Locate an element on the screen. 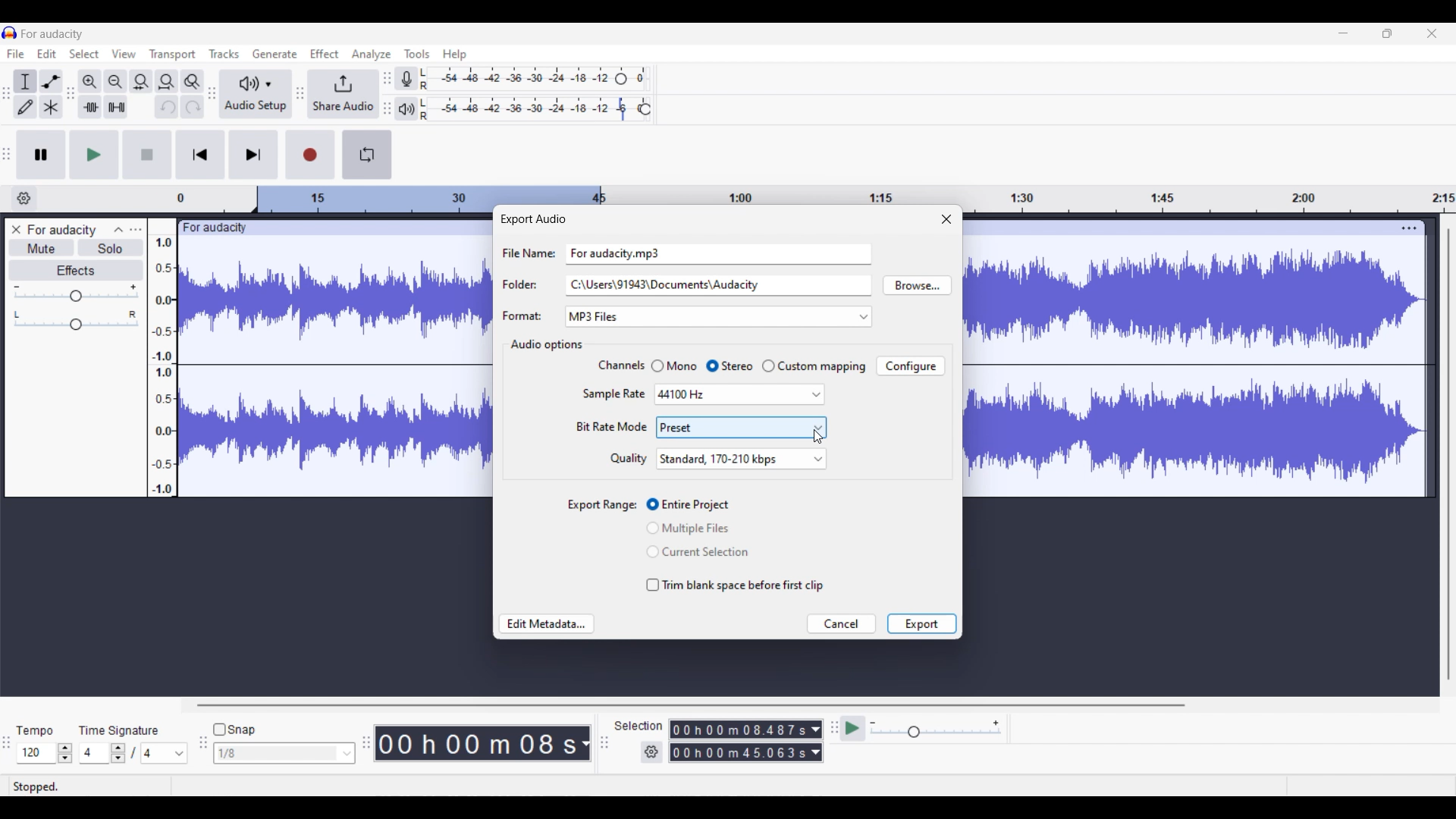 This screenshot has height=819, width=1456. Trim audio outside selection is located at coordinates (90, 107).